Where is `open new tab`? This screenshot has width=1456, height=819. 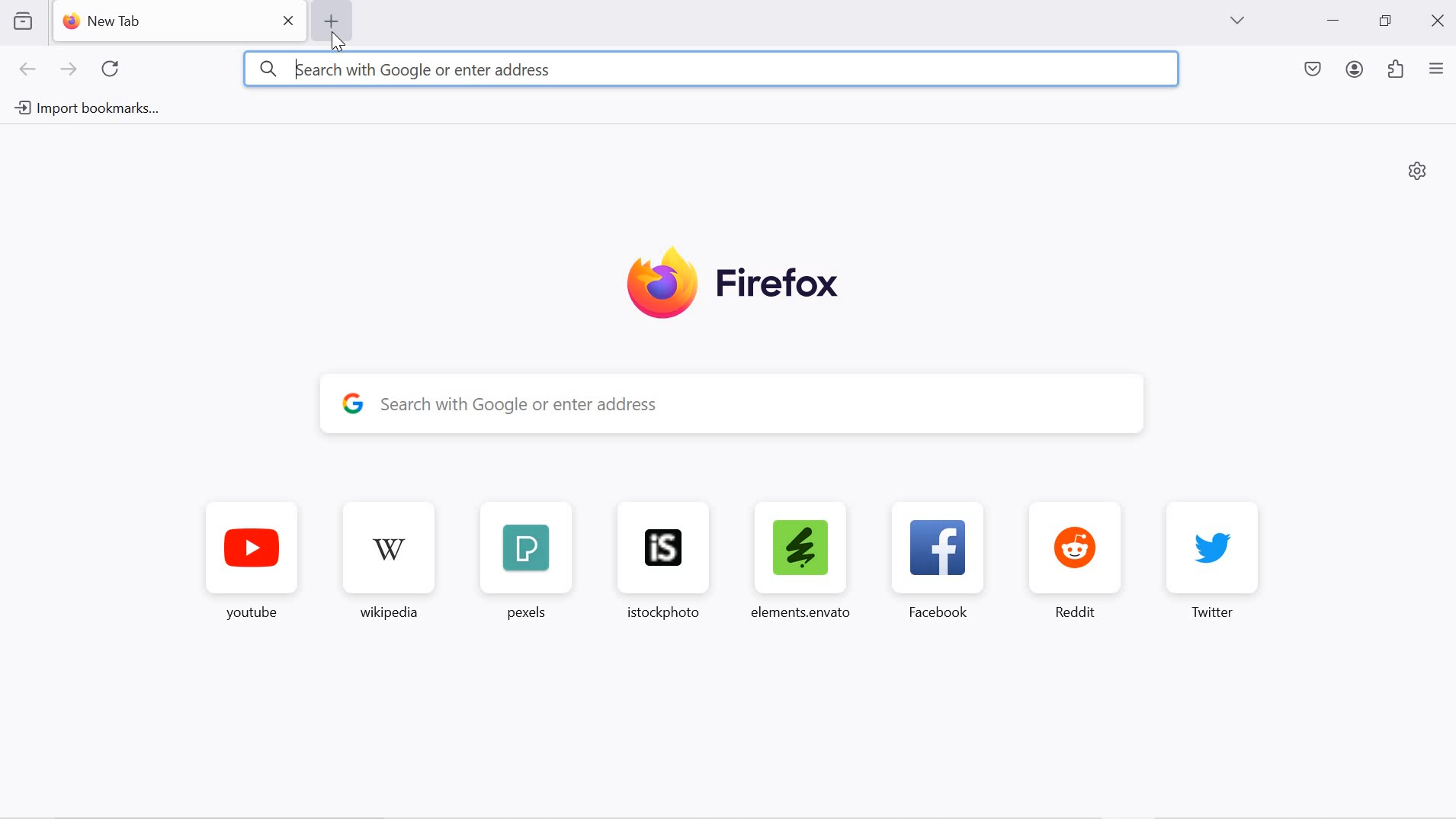 open new tab is located at coordinates (330, 21).